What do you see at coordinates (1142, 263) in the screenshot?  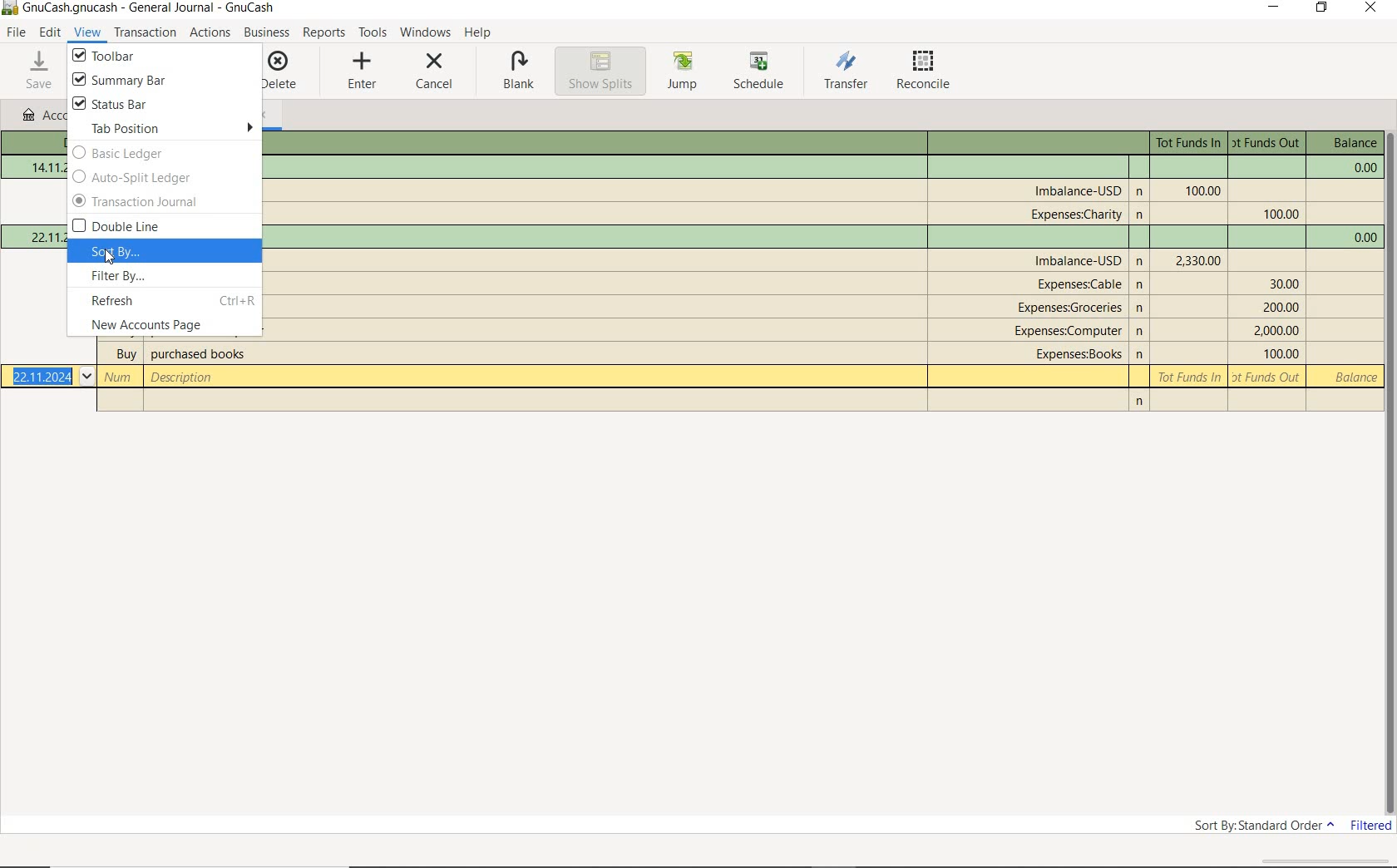 I see `` at bounding box center [1142, 263].